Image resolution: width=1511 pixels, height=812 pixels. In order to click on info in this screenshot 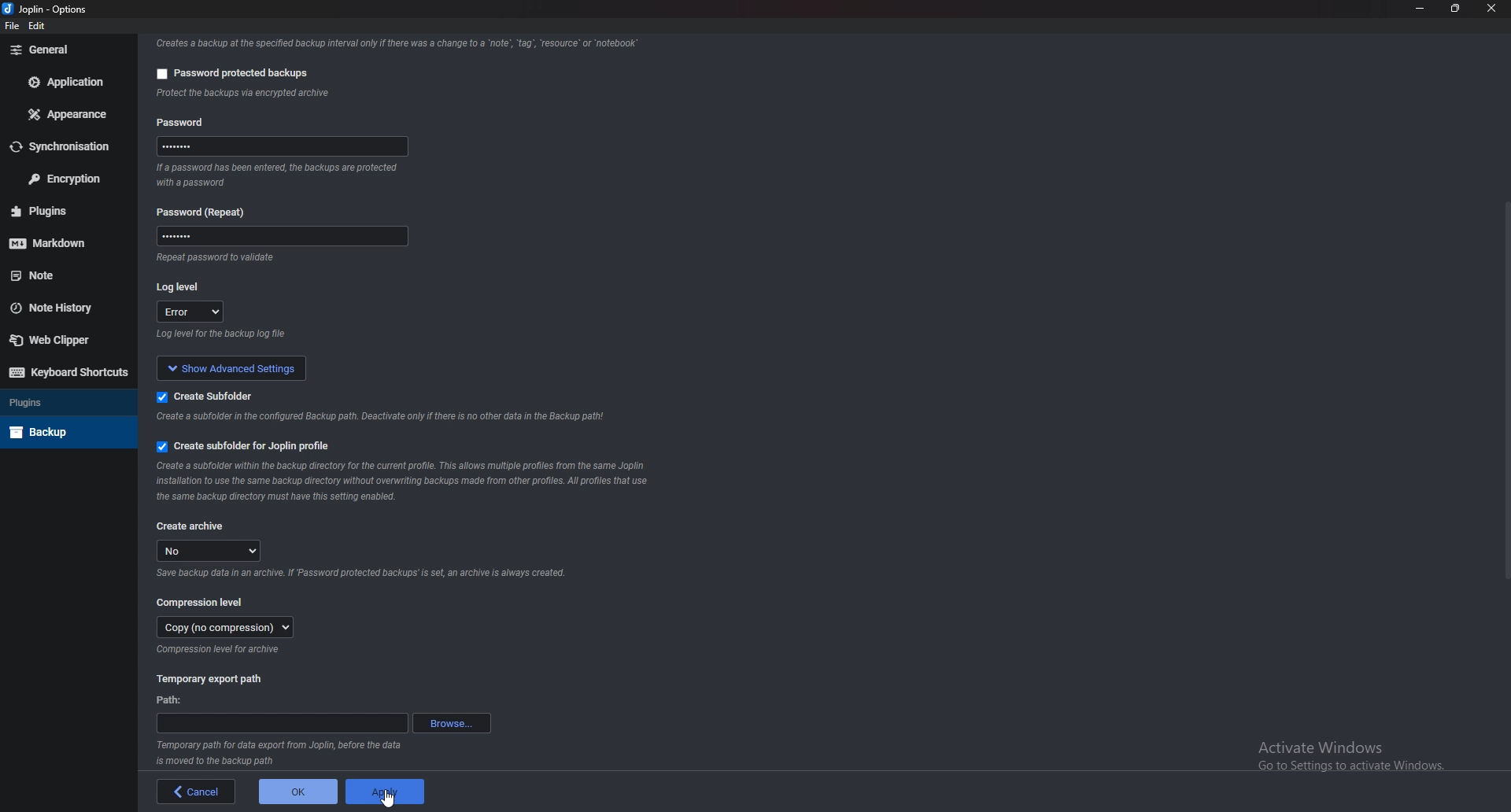, I will do `click(323, 94)`.